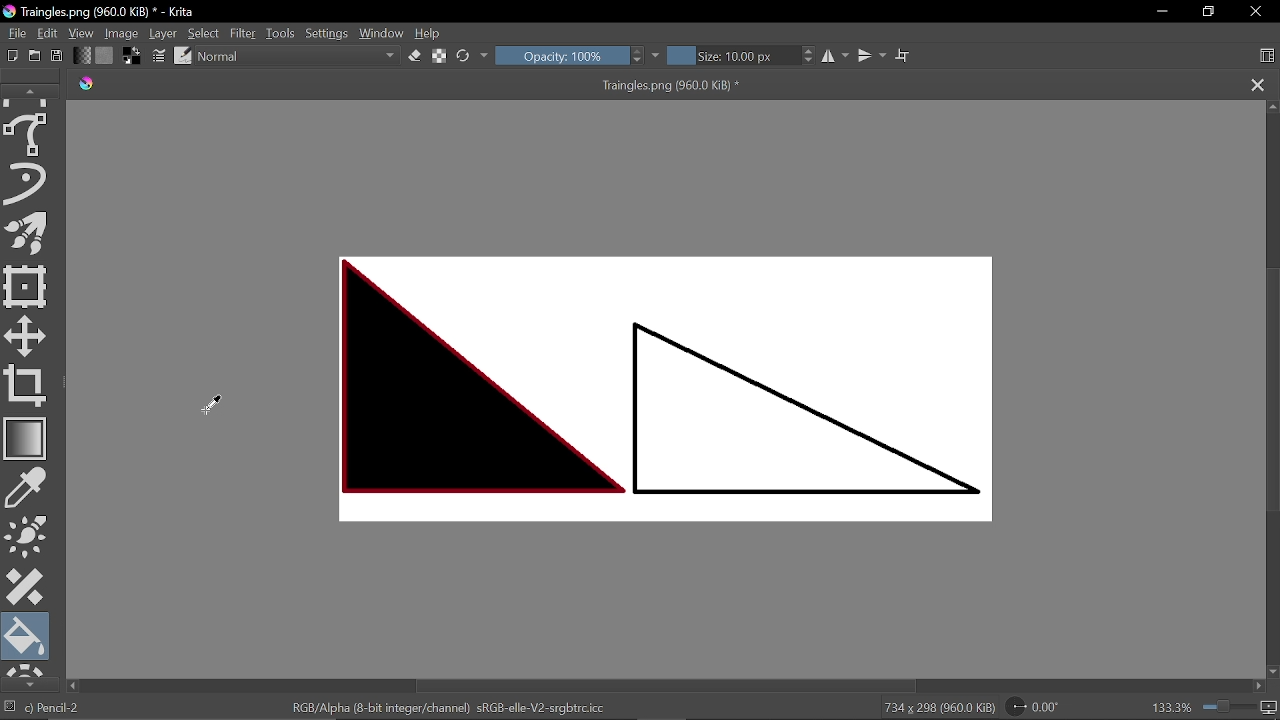 The width and height of the screenshot is (1280, 720). What do you see at coordinates (83, 55) in the screenshot?
I see `Fill gradient` at bounding box center [83, 55].